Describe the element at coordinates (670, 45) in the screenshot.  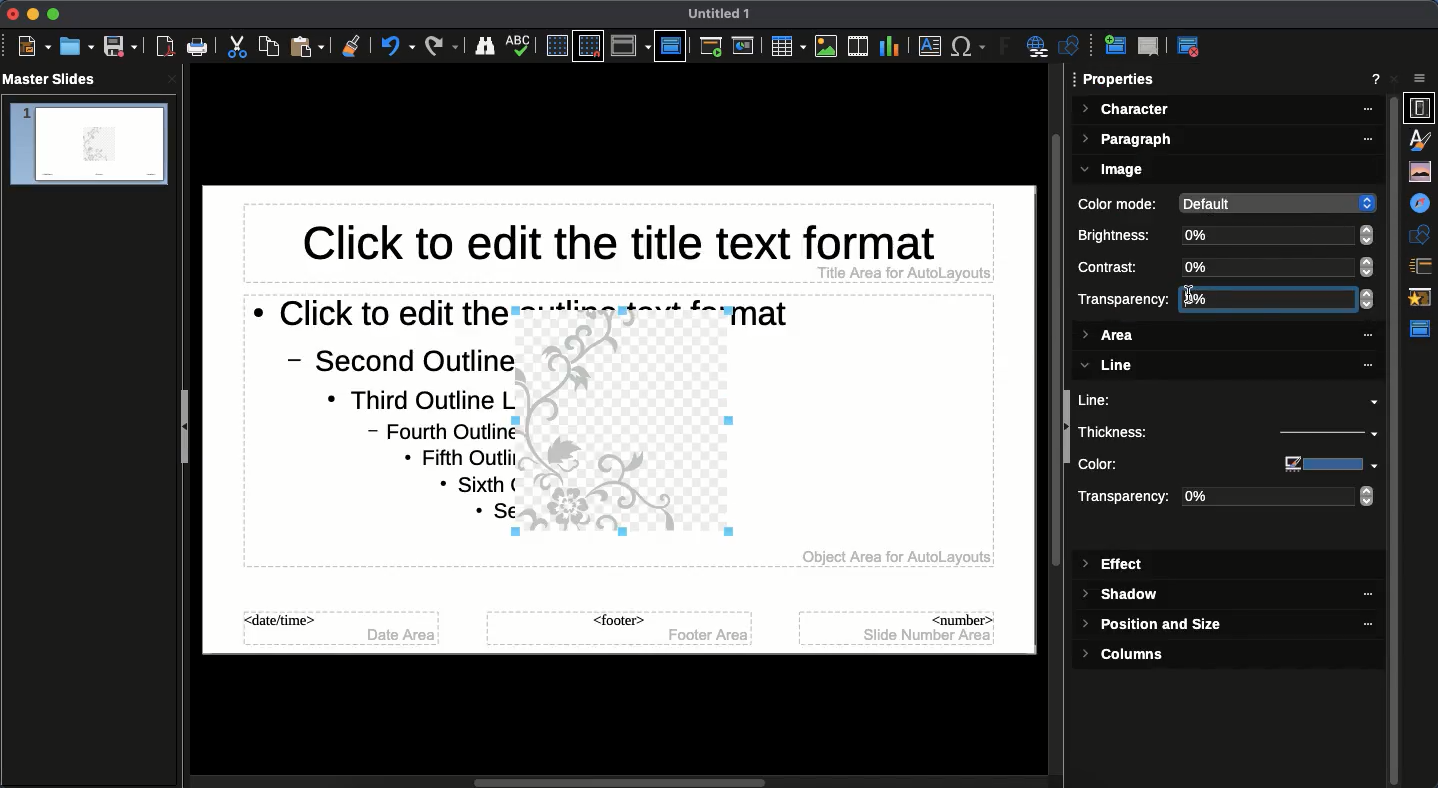
I see `Master slide` at that location.